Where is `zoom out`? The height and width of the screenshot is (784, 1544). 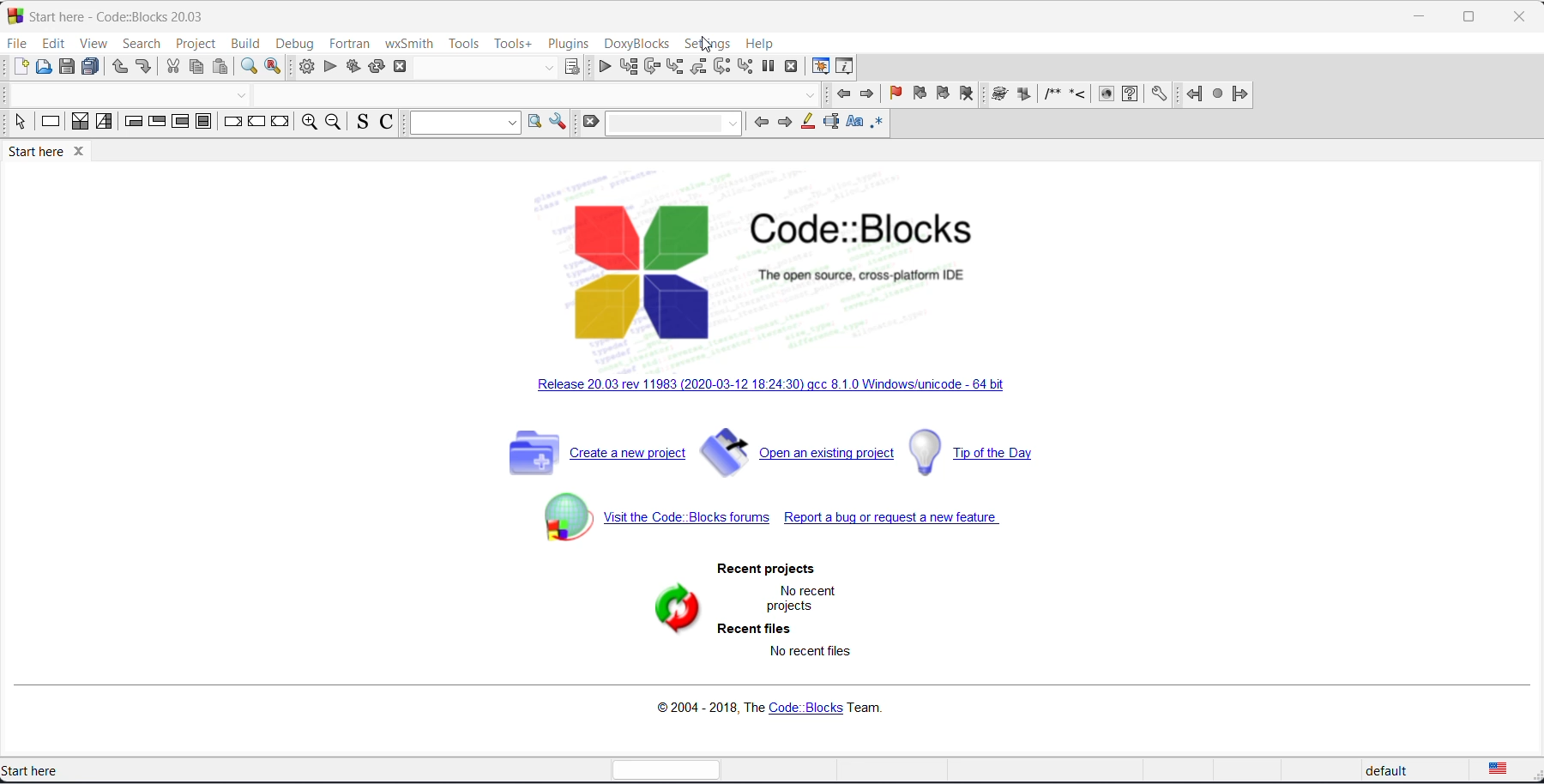 zoom out is located at coordinates (310, 122).